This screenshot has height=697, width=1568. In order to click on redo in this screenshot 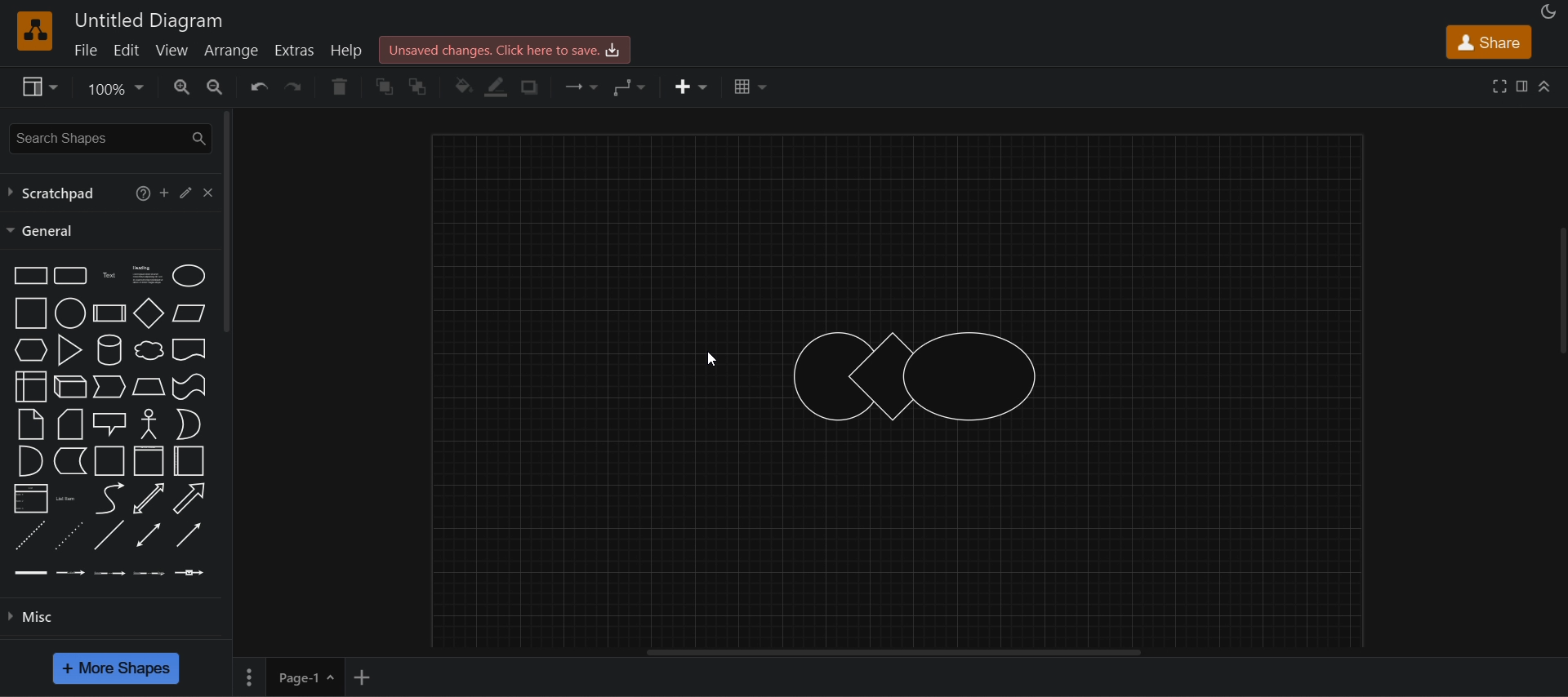, I will do `click(297, 87)`.